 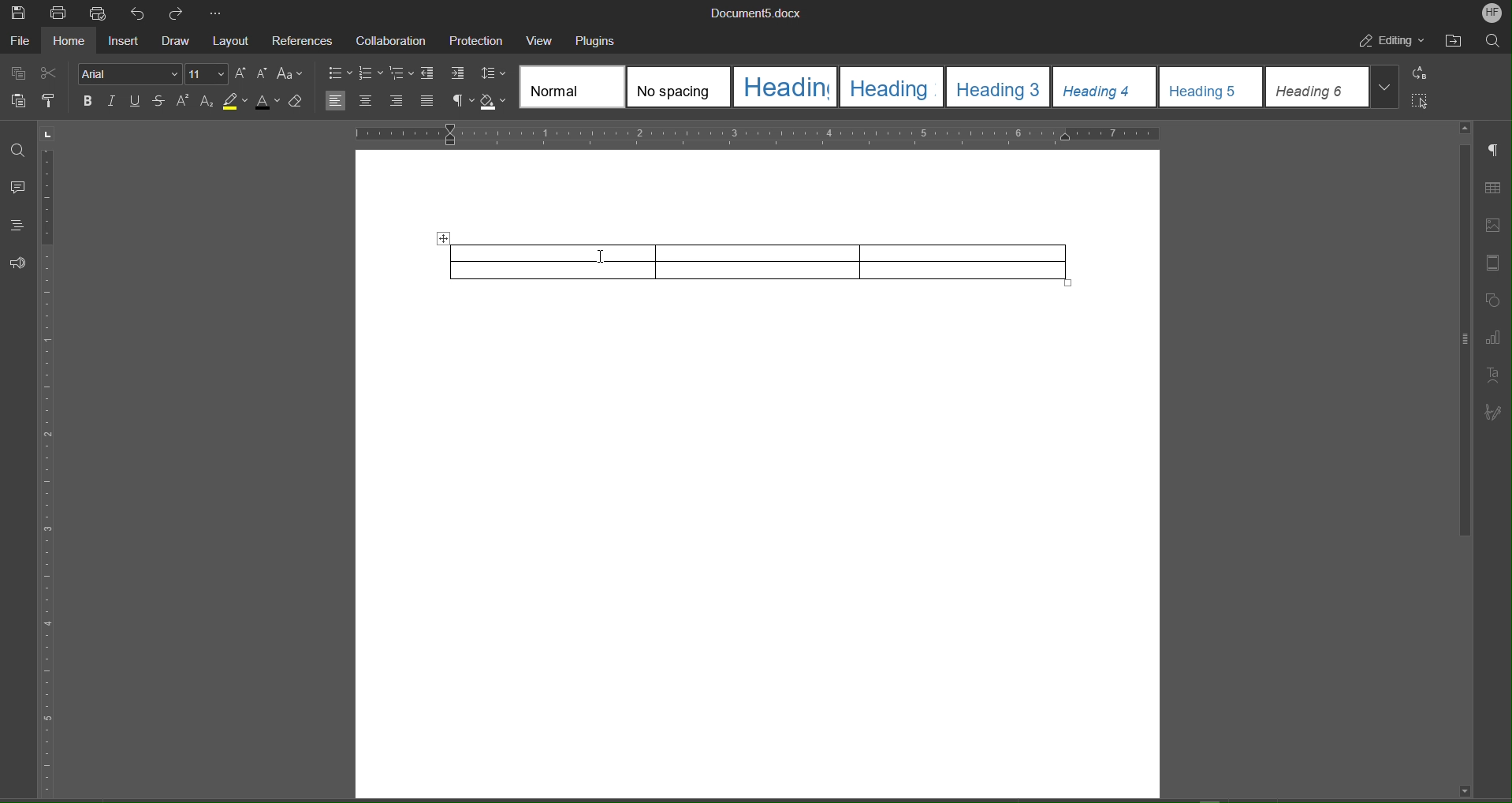 What do you see at coordinates (160, 102) in the screenshot?
I see `Strikethrough` at bounding box center [160, 102].